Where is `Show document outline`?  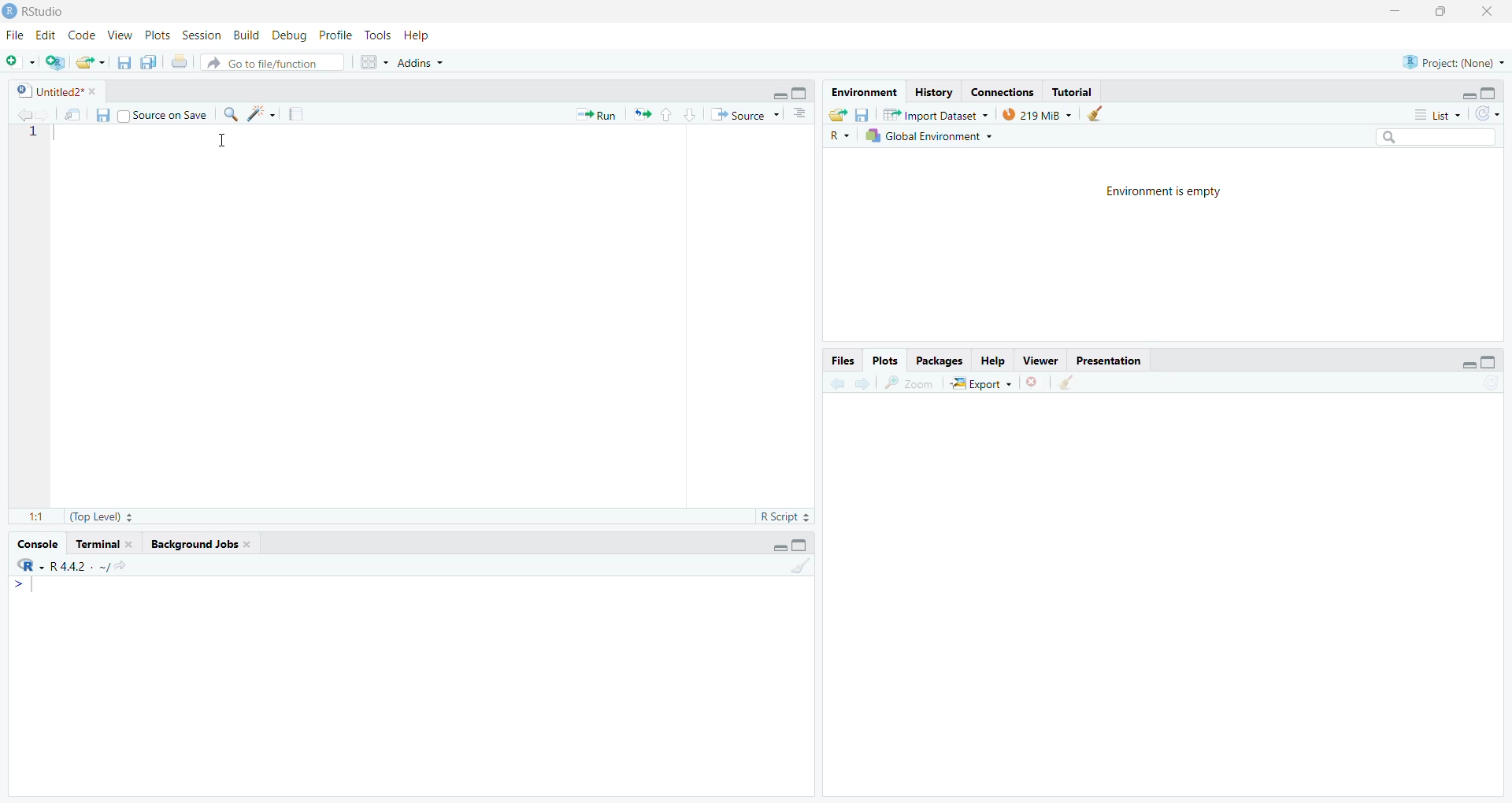 Show document outline is located at coordinates (802, 114).